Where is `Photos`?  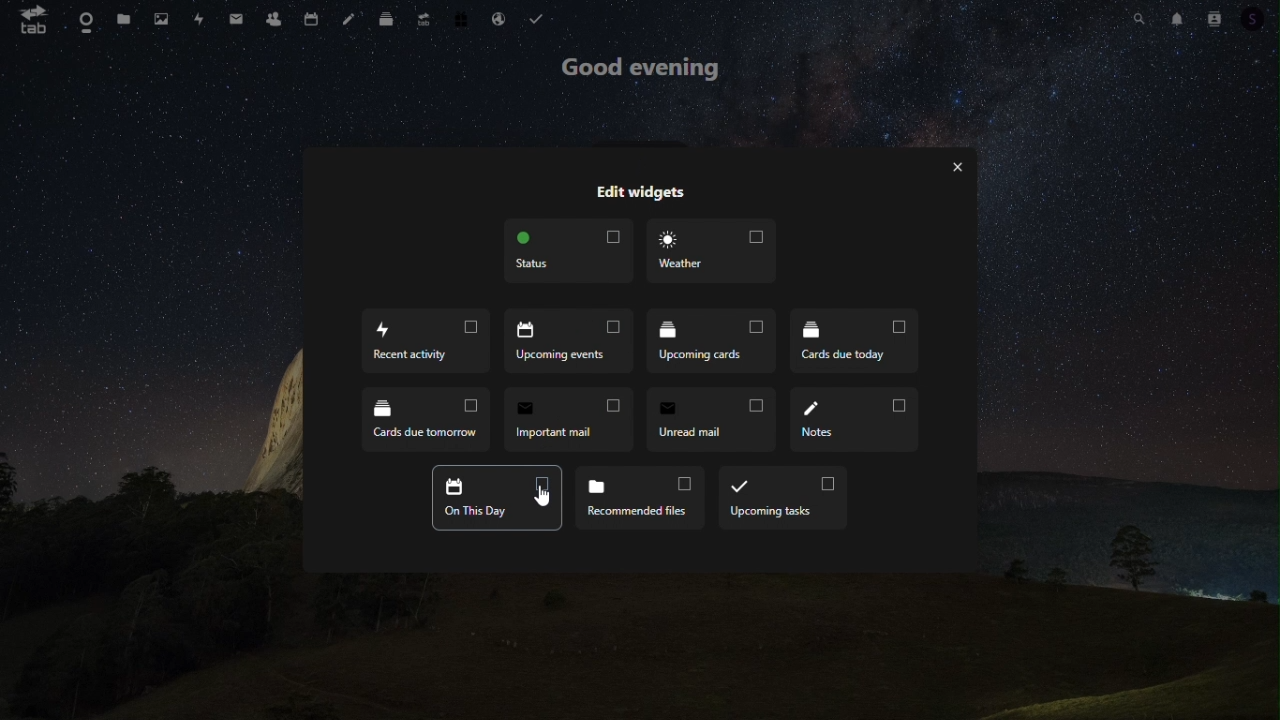
Photos is located at coordinates (164, 17).